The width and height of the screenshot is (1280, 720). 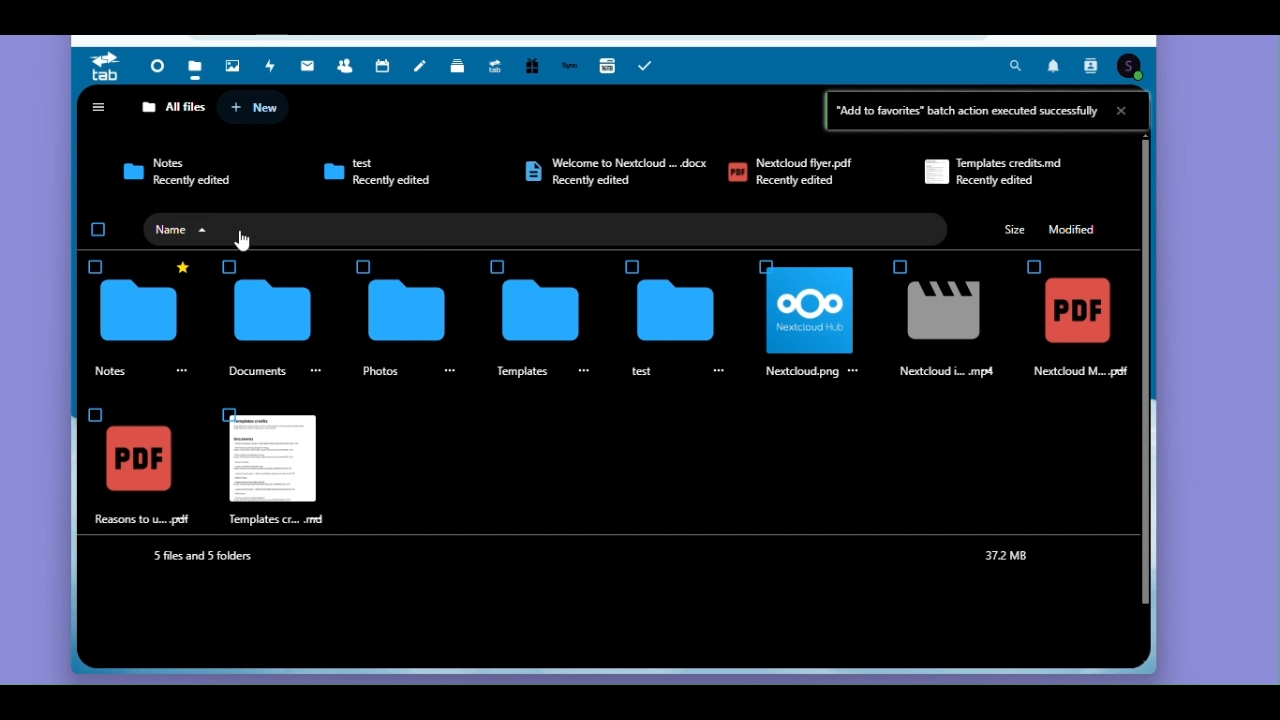 What do you see at coordinates (1015, 162) in the screenshot?
I see `Templated credits.md` at bounding box center [1015, 162].